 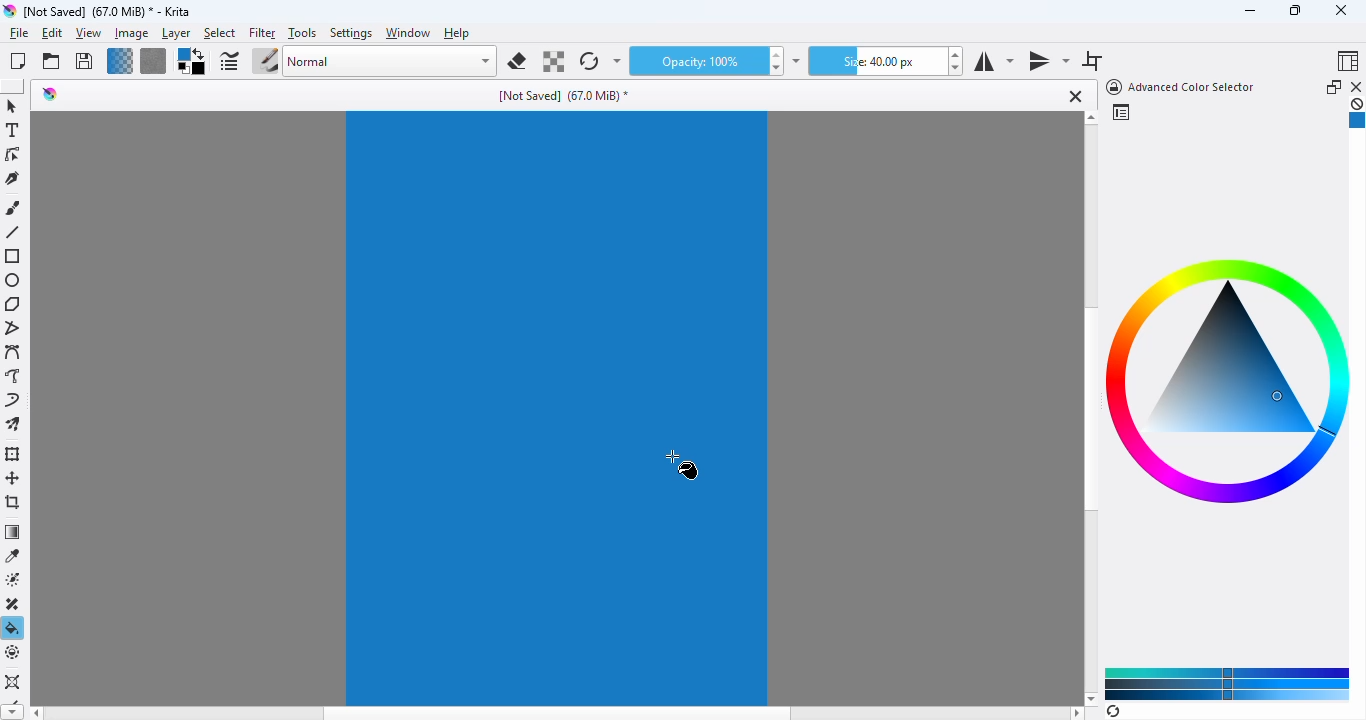 I want to click on set eraser mode, so click(x=517, y=61).